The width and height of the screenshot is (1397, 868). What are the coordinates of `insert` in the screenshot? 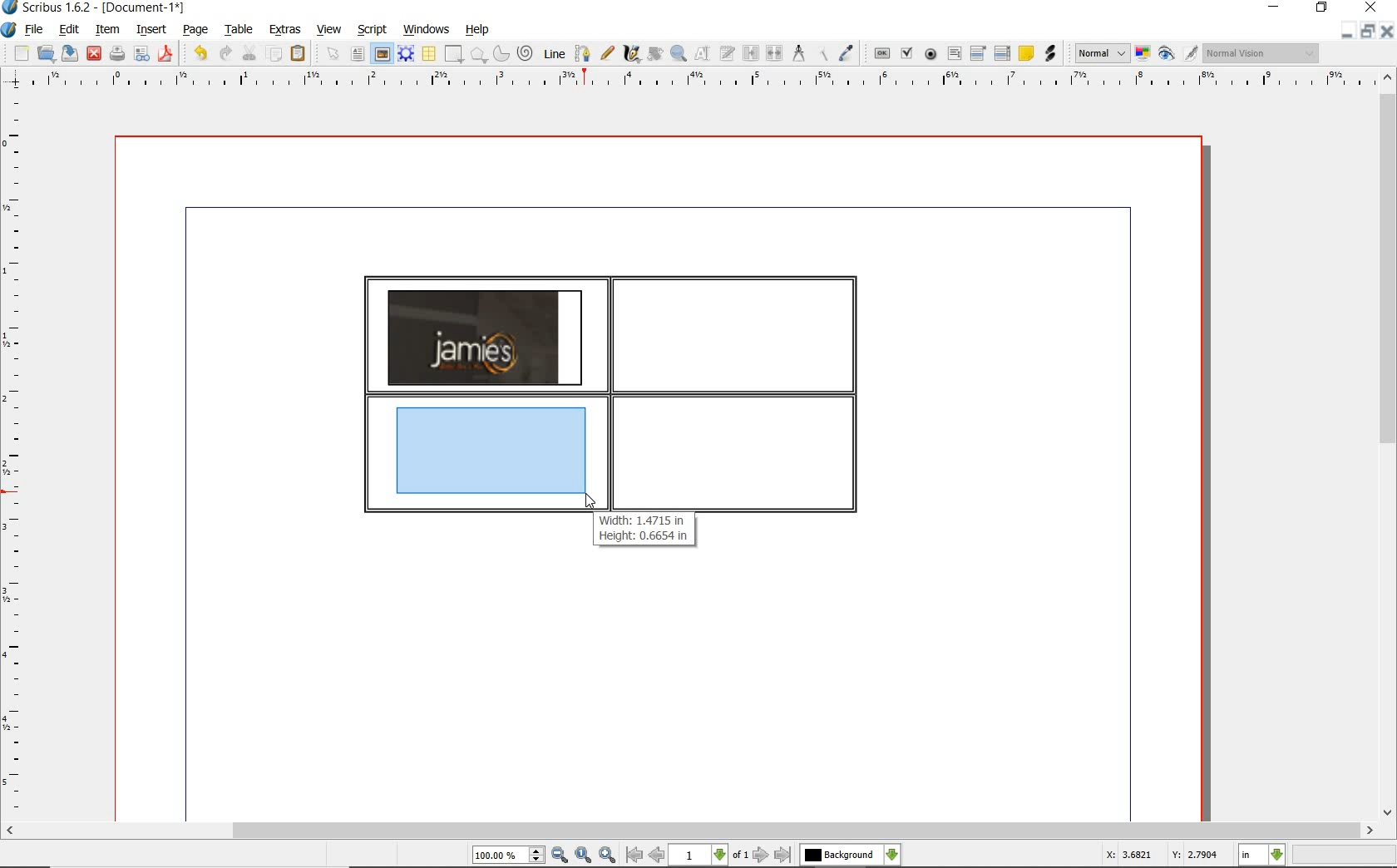 It's located at (150, 31).